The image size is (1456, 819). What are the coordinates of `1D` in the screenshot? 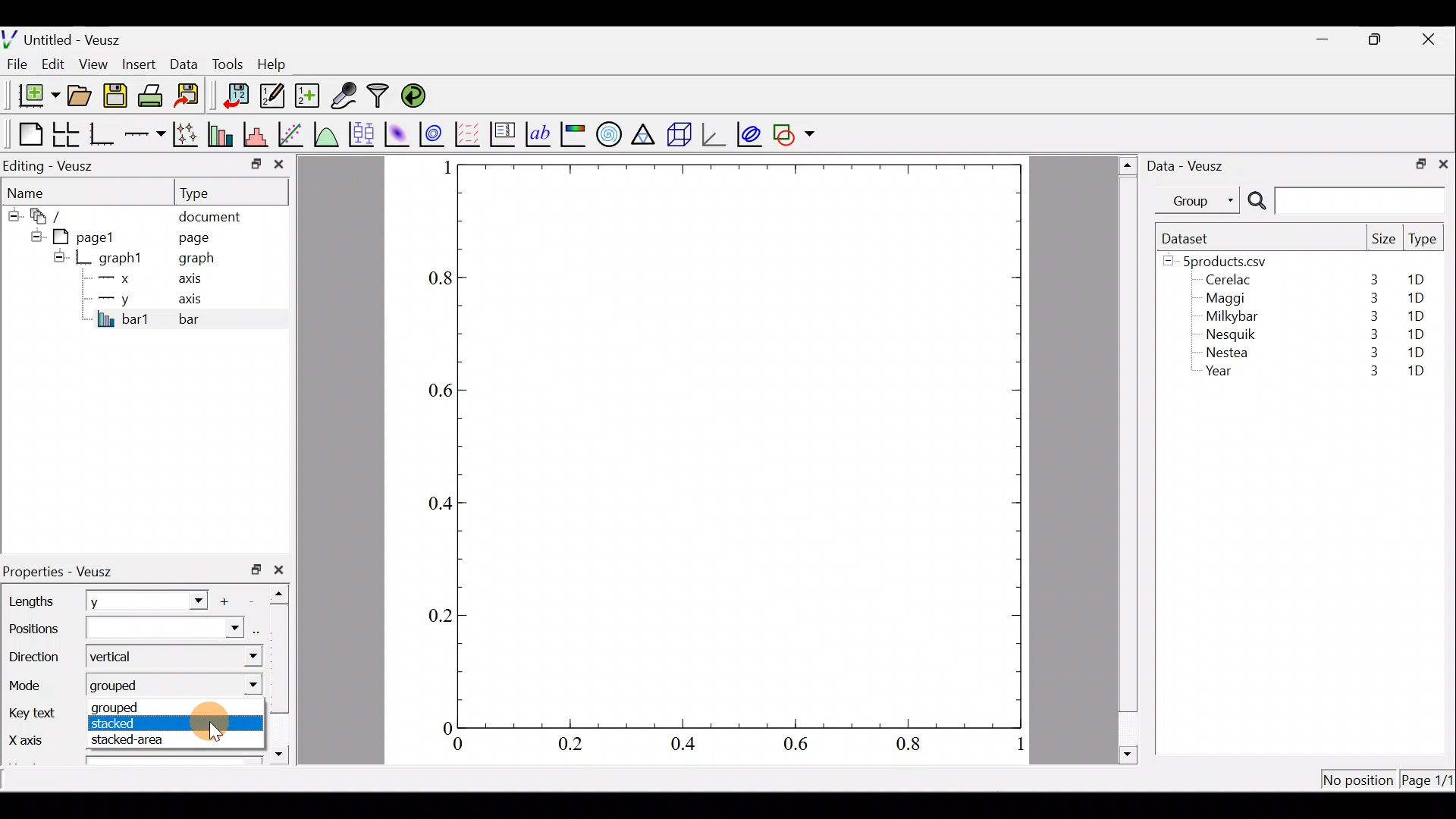 It's located at (1418, 331).